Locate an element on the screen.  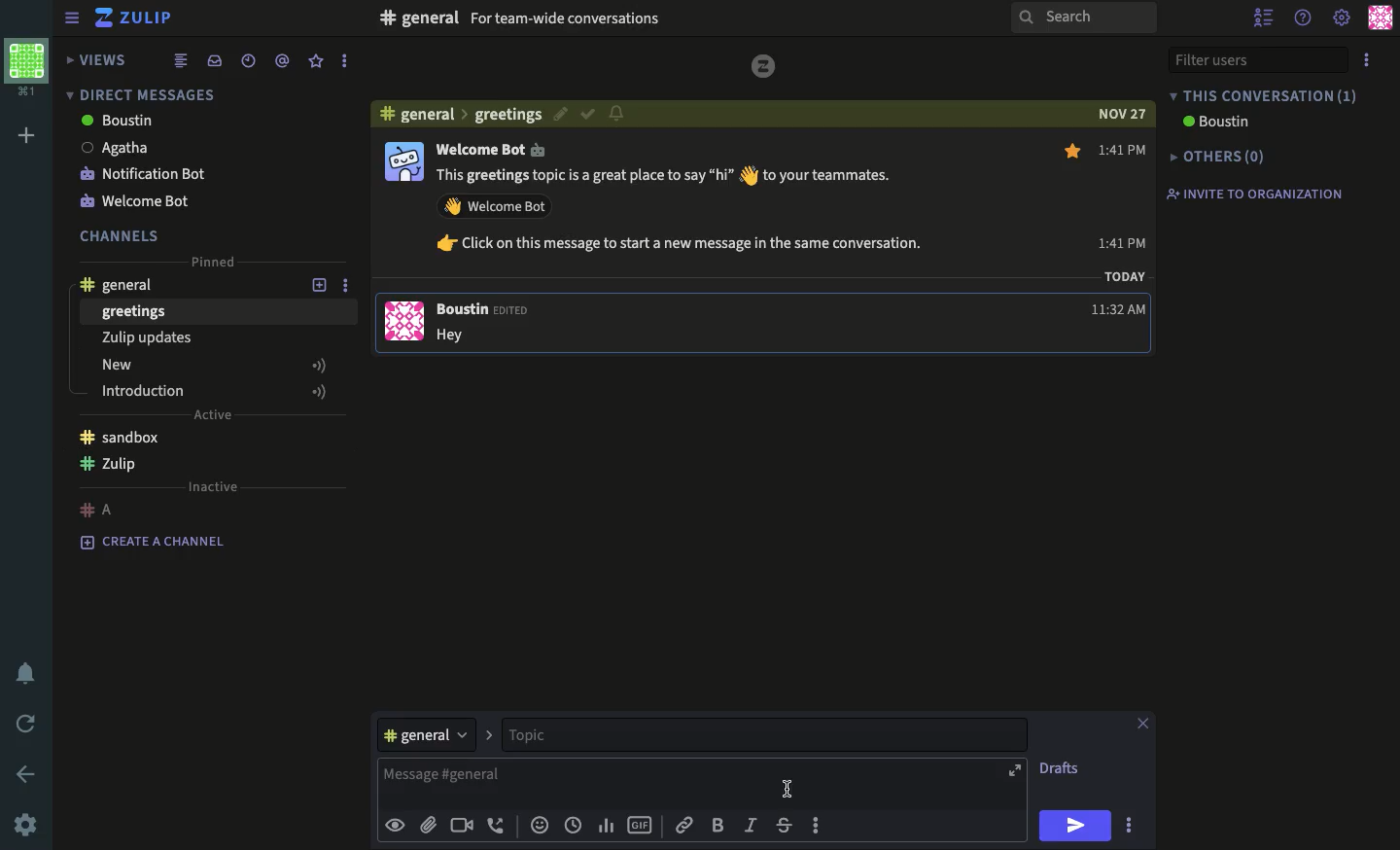
edit is located at coordinates (557, 114).